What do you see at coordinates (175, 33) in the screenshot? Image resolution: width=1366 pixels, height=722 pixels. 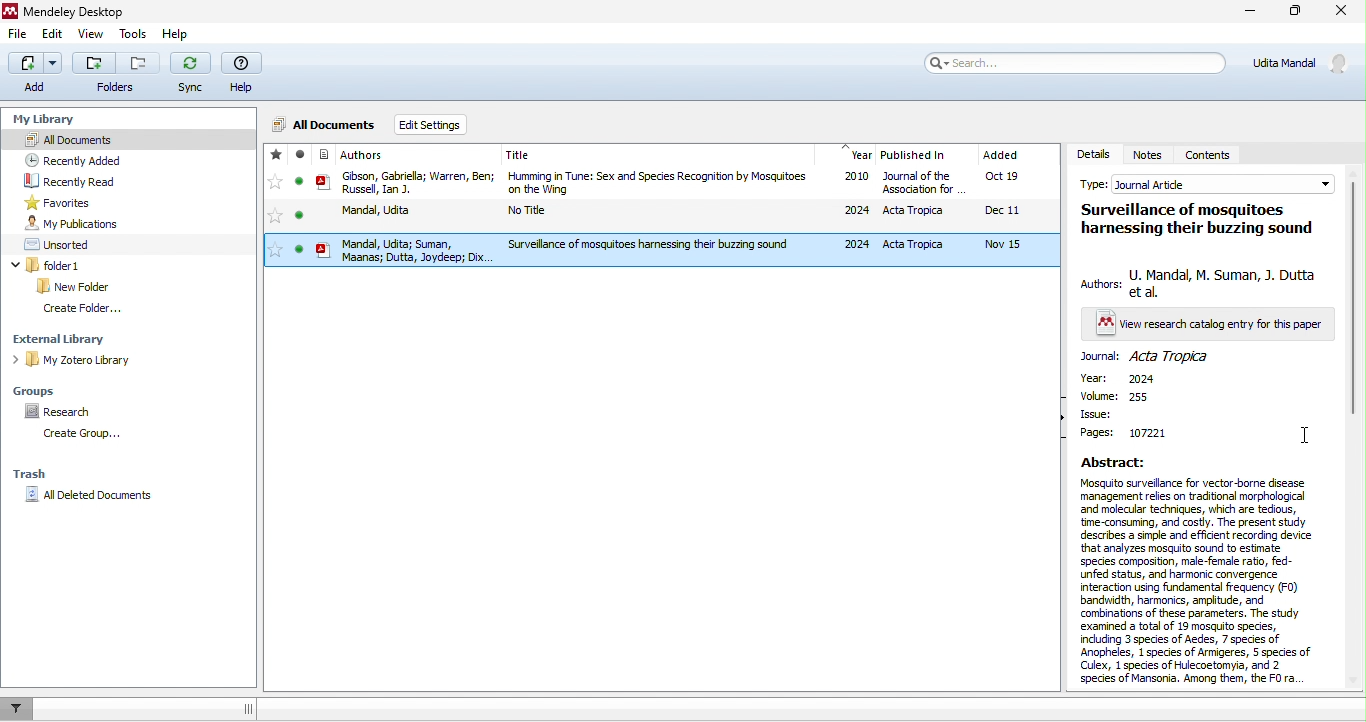 I see `help` at bounding box center [175, 33].